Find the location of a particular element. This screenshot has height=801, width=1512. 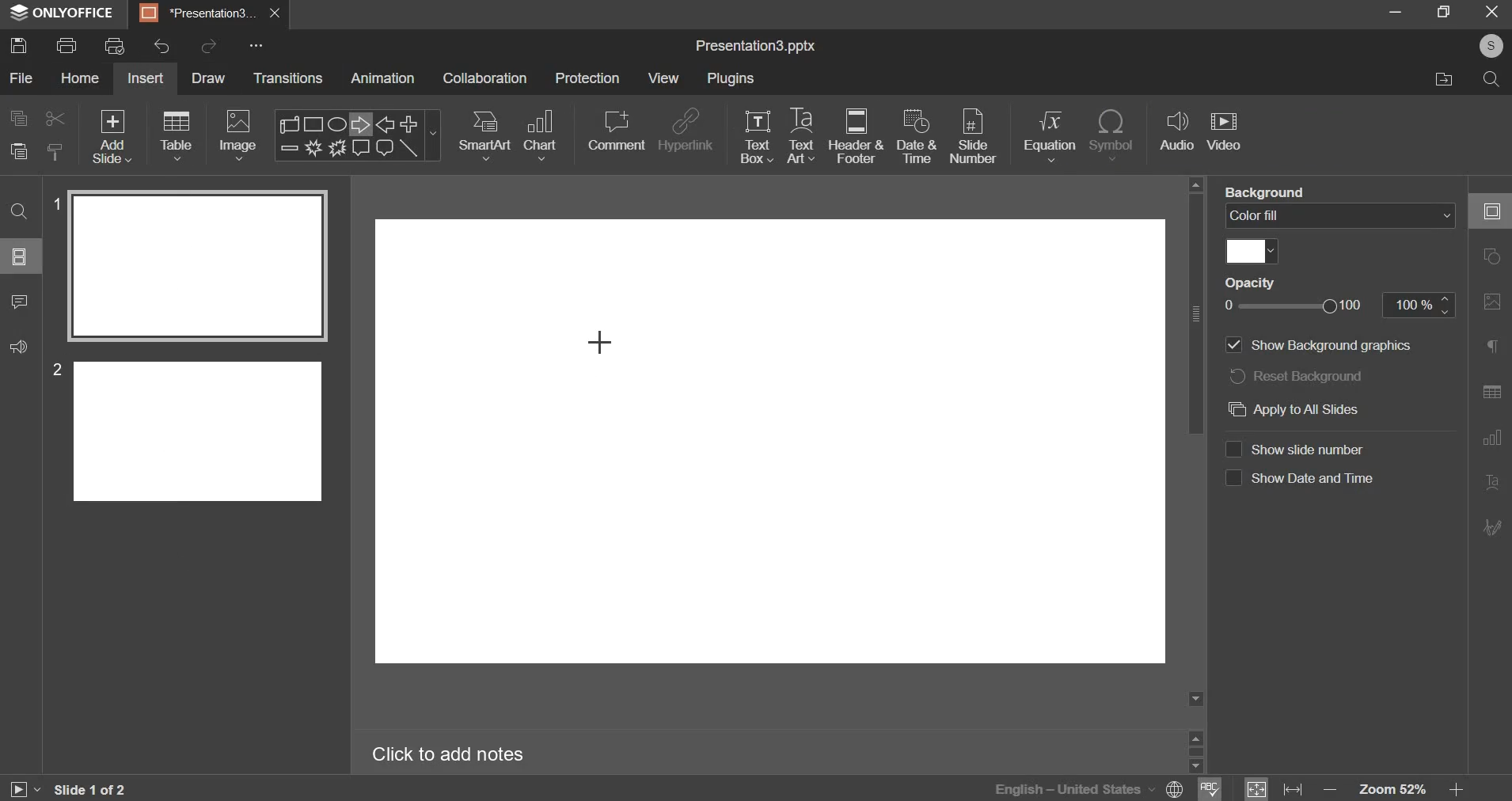

play is located at coordinates (24, 790).